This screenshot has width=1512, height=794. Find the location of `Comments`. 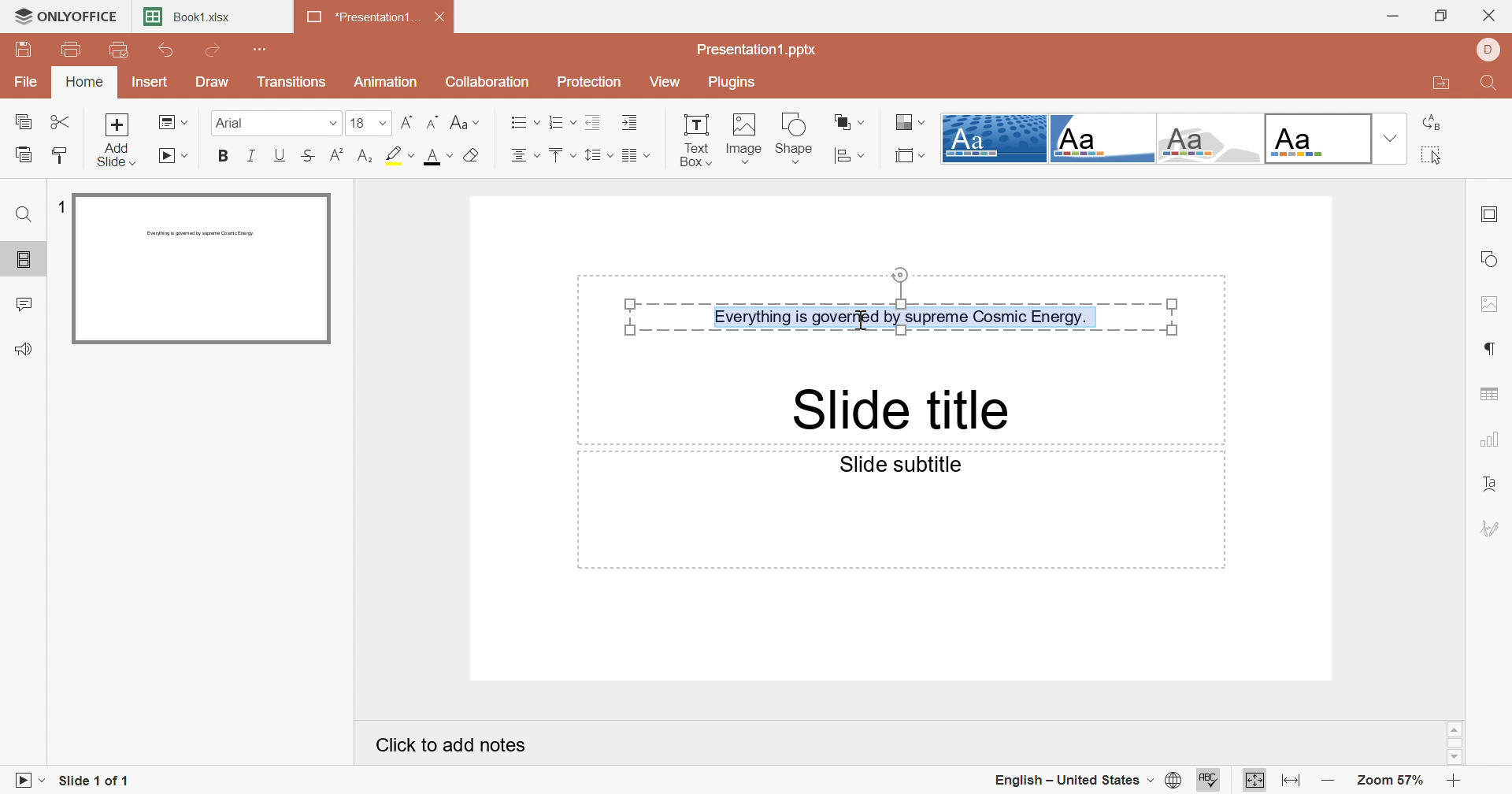

Comments is located at coordinates (24, 303).